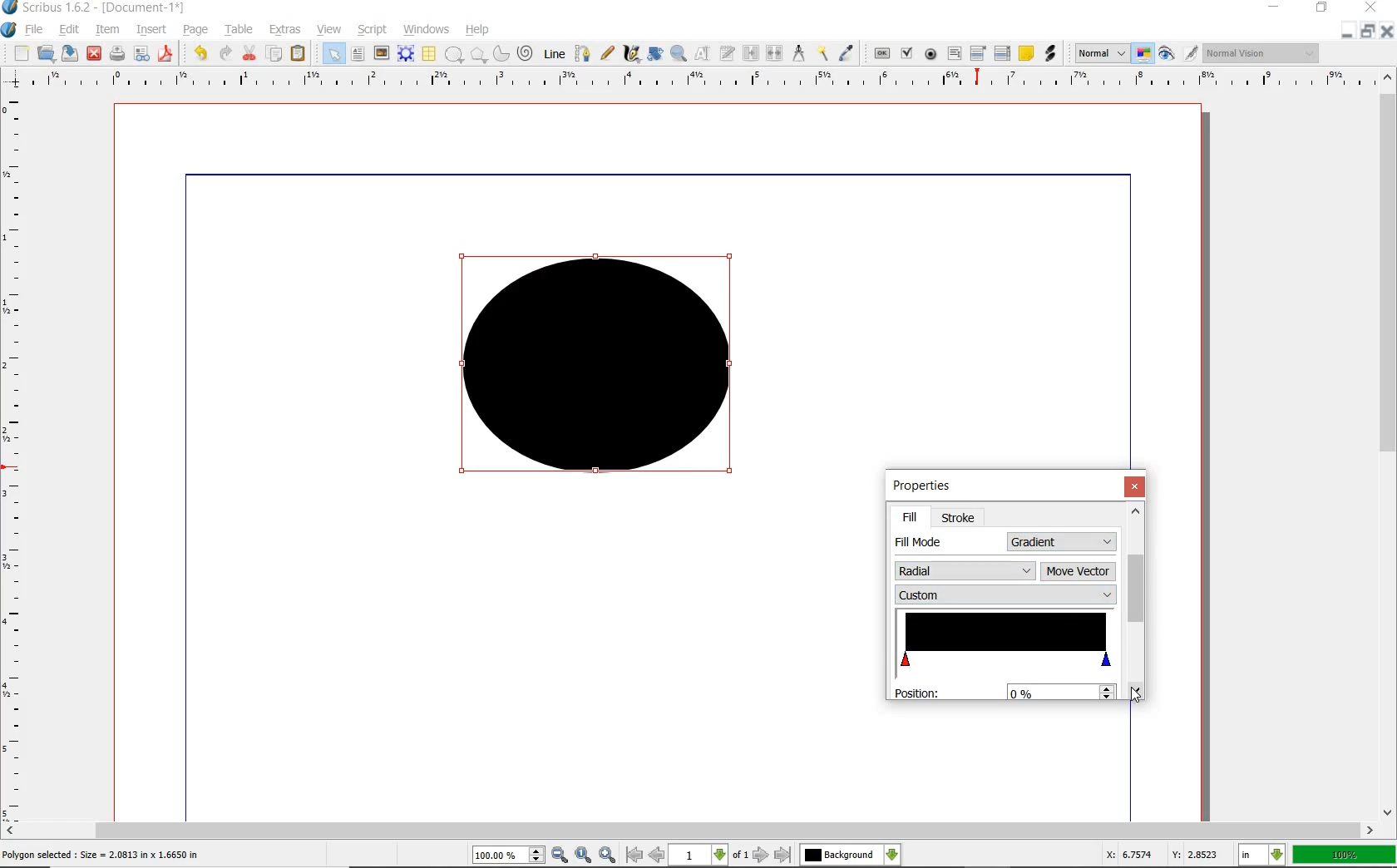 The width and height of the screenshot is (1397, 868). I want to click on position, so click(919, 692).